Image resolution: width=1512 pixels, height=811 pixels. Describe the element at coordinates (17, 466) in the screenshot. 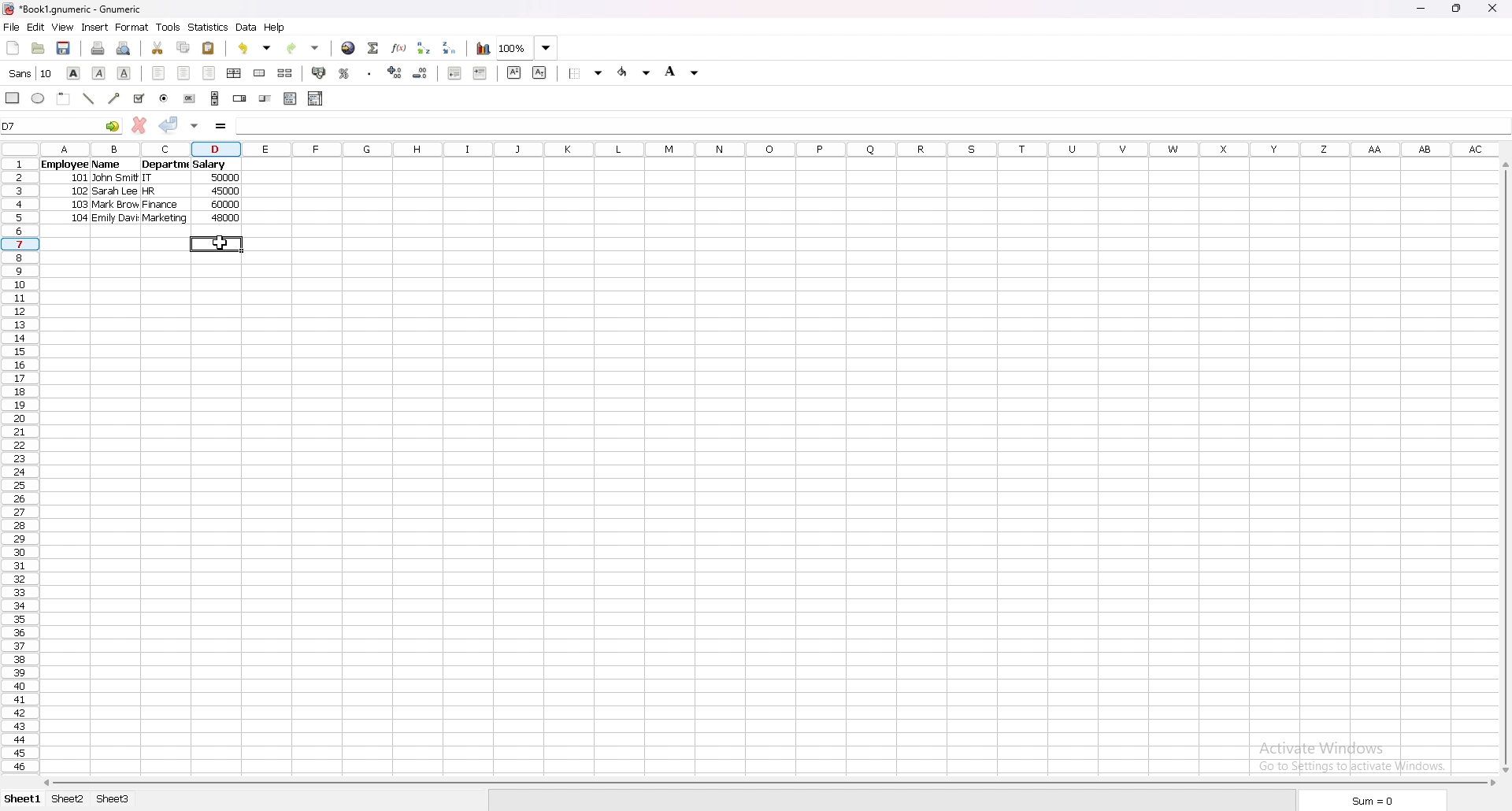

I see `row` at that location.